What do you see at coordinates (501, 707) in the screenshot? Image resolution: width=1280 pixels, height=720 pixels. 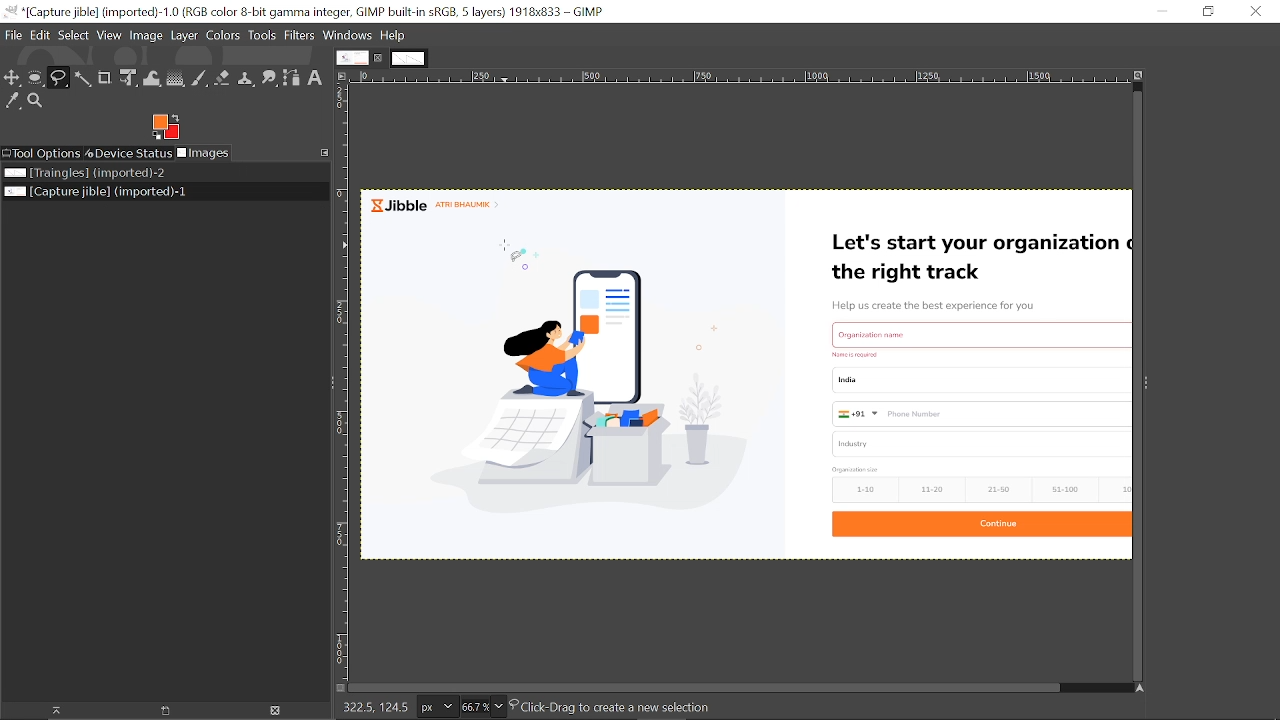 I see `Zoom options` at bounding box center [501, 707].